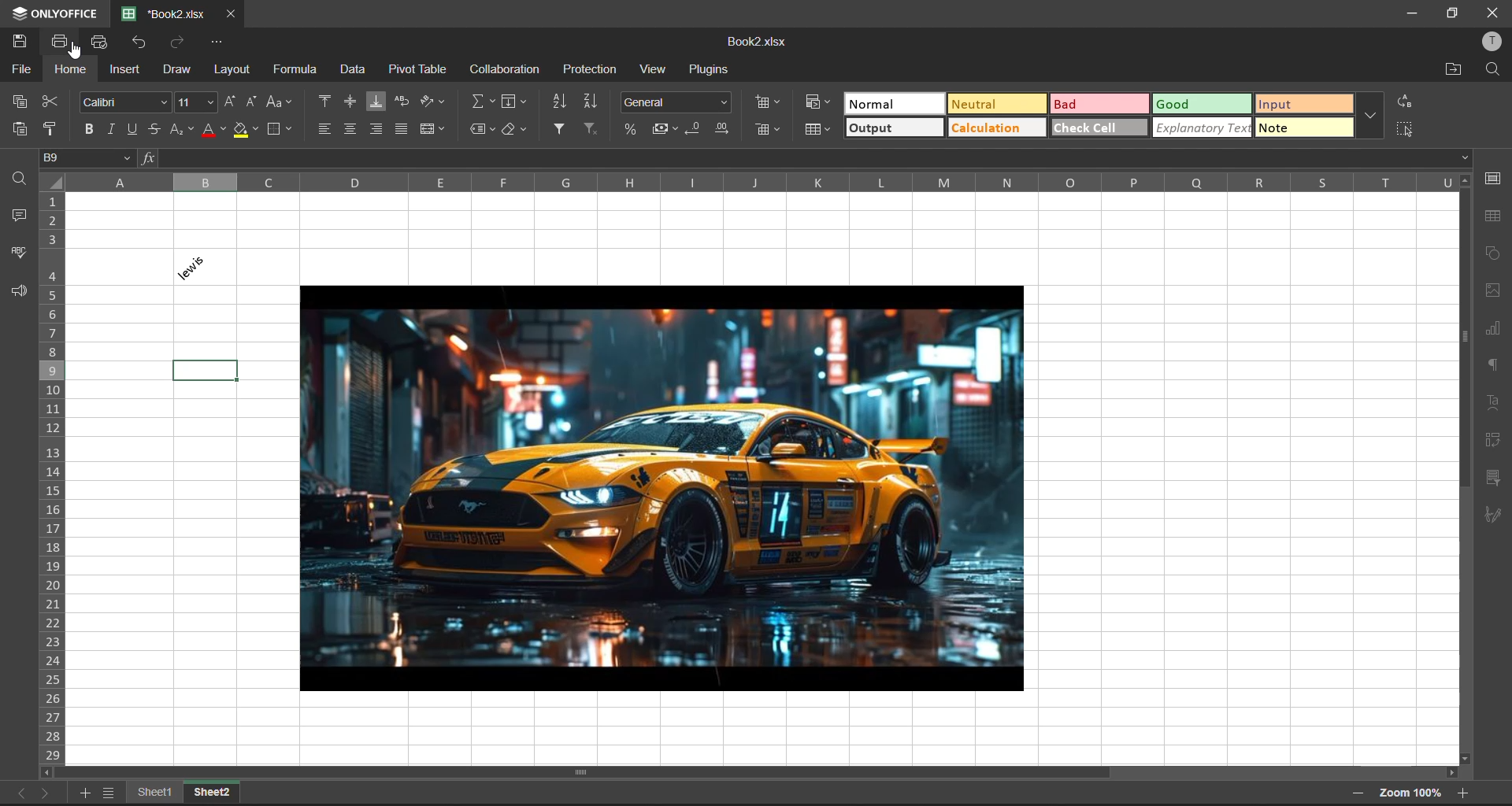 Image resolution: width=1512 pixels, height=806 pixels. What do you see at coordinates (248, 131) in the screenshot?
I see `fill color` at bounding box center [248, 131].